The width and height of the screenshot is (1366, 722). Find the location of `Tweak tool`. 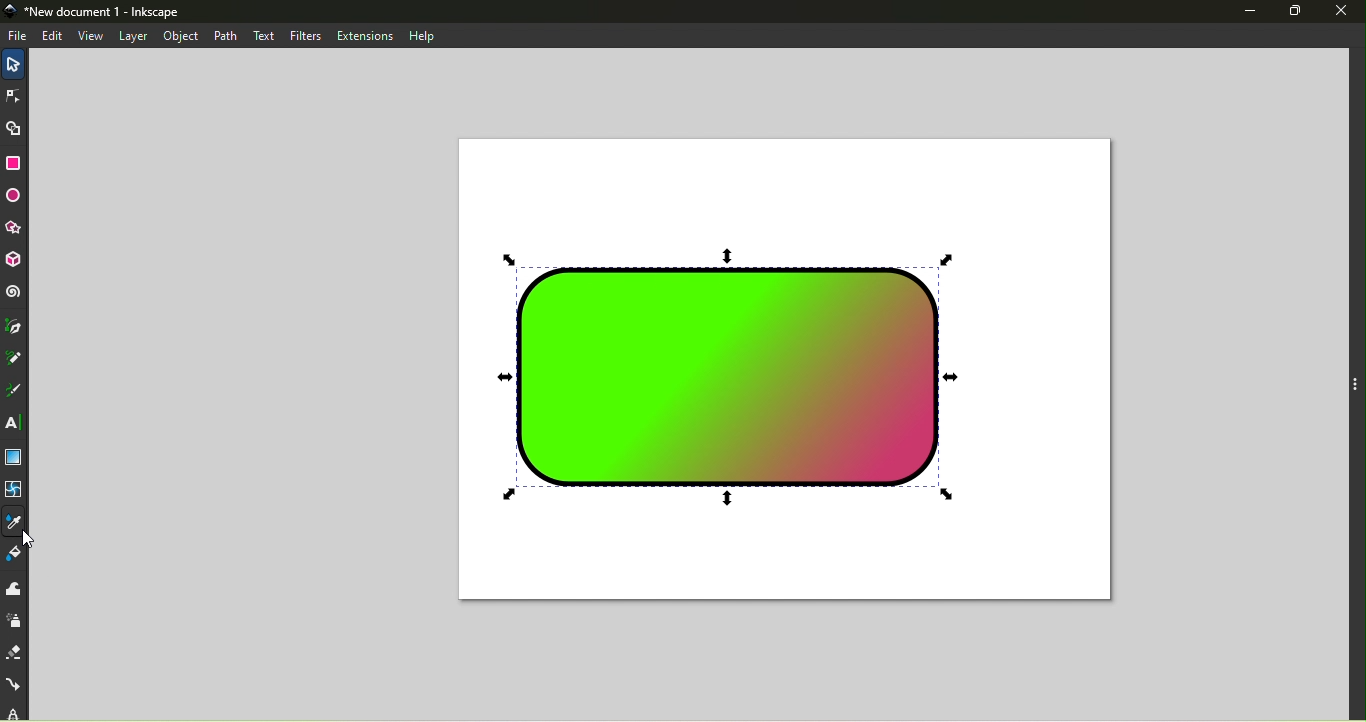

Tweak tool is located at coordinates (13, 589).